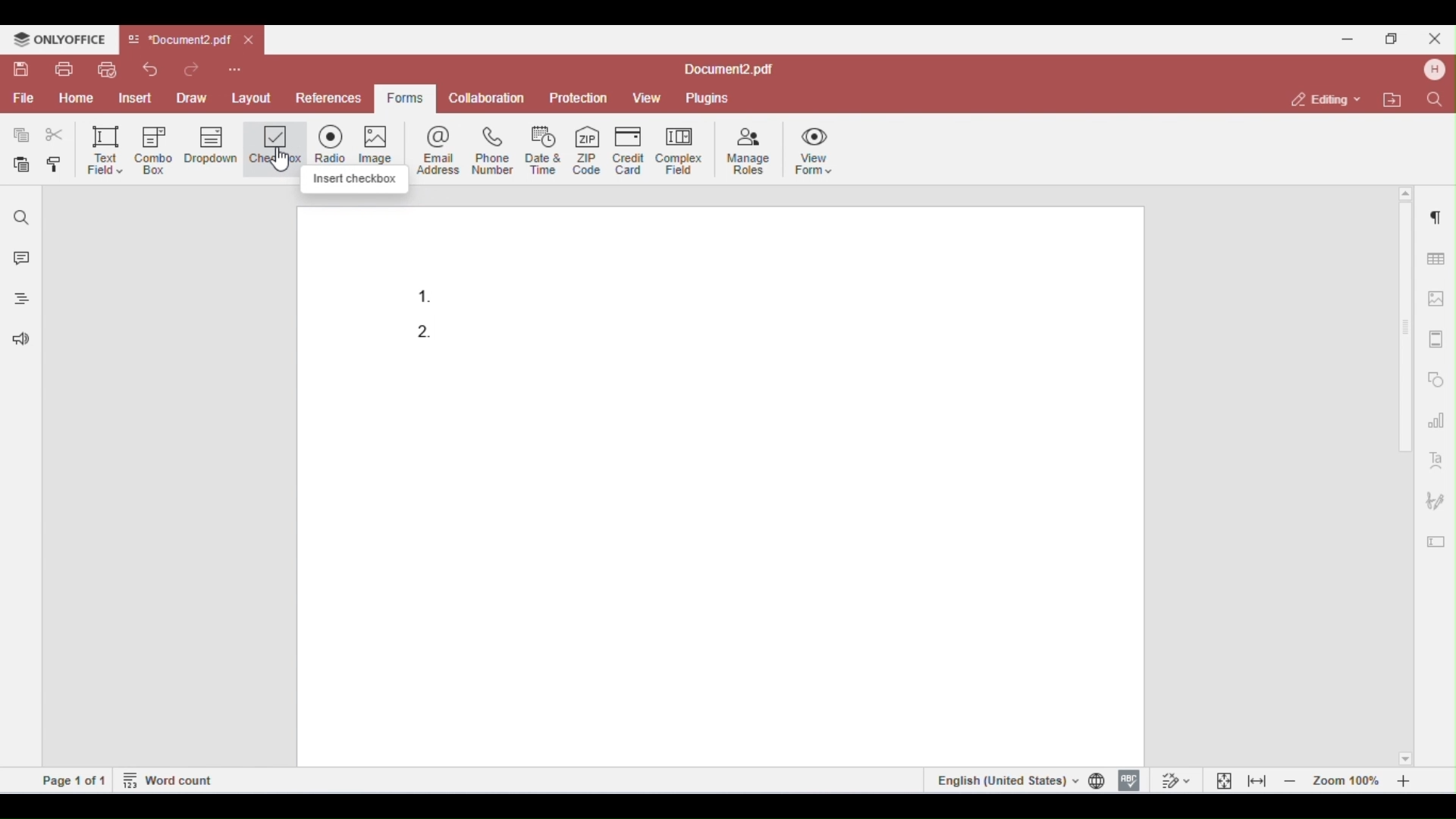 Image resolution: width=1456 pixels, height=819 pixels. What do you see at coordinates (252, 96) in the screenshot?
I see `layout` at bounding box center [252, 96].